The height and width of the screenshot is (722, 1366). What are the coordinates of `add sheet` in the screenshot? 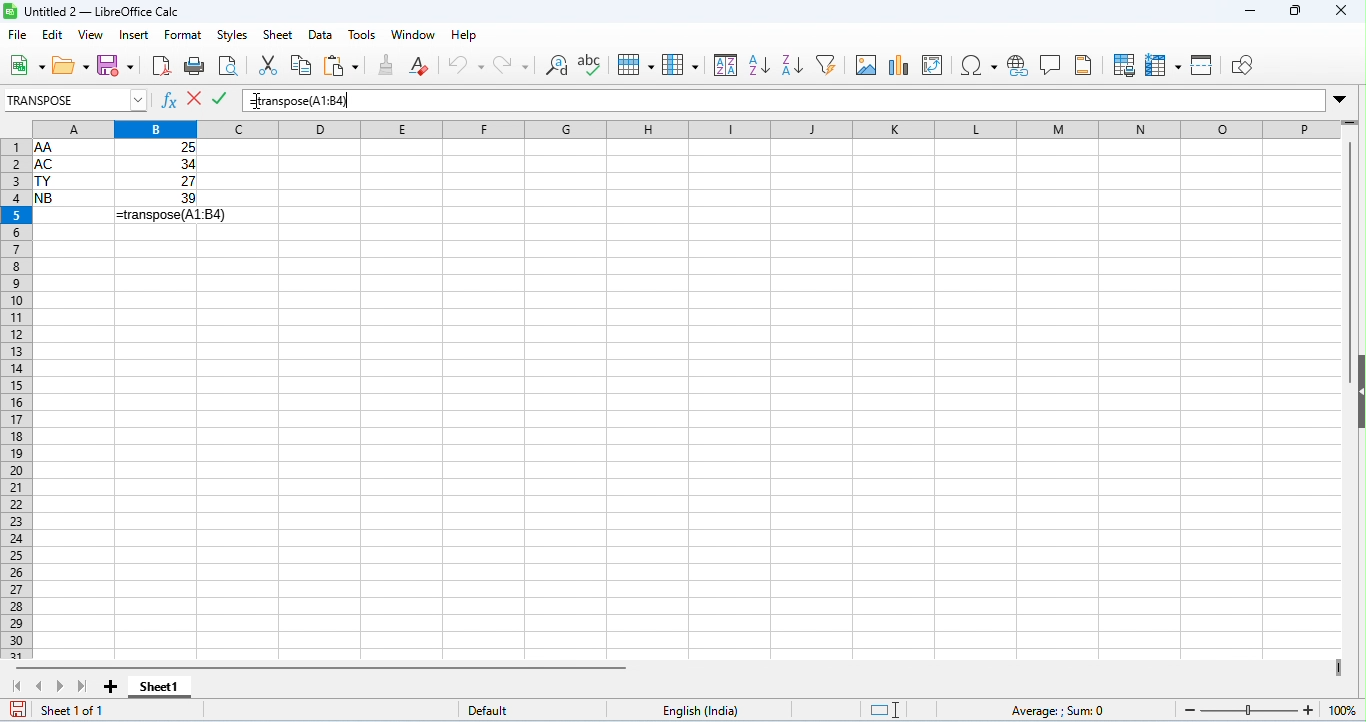 It's located at (114, 687).